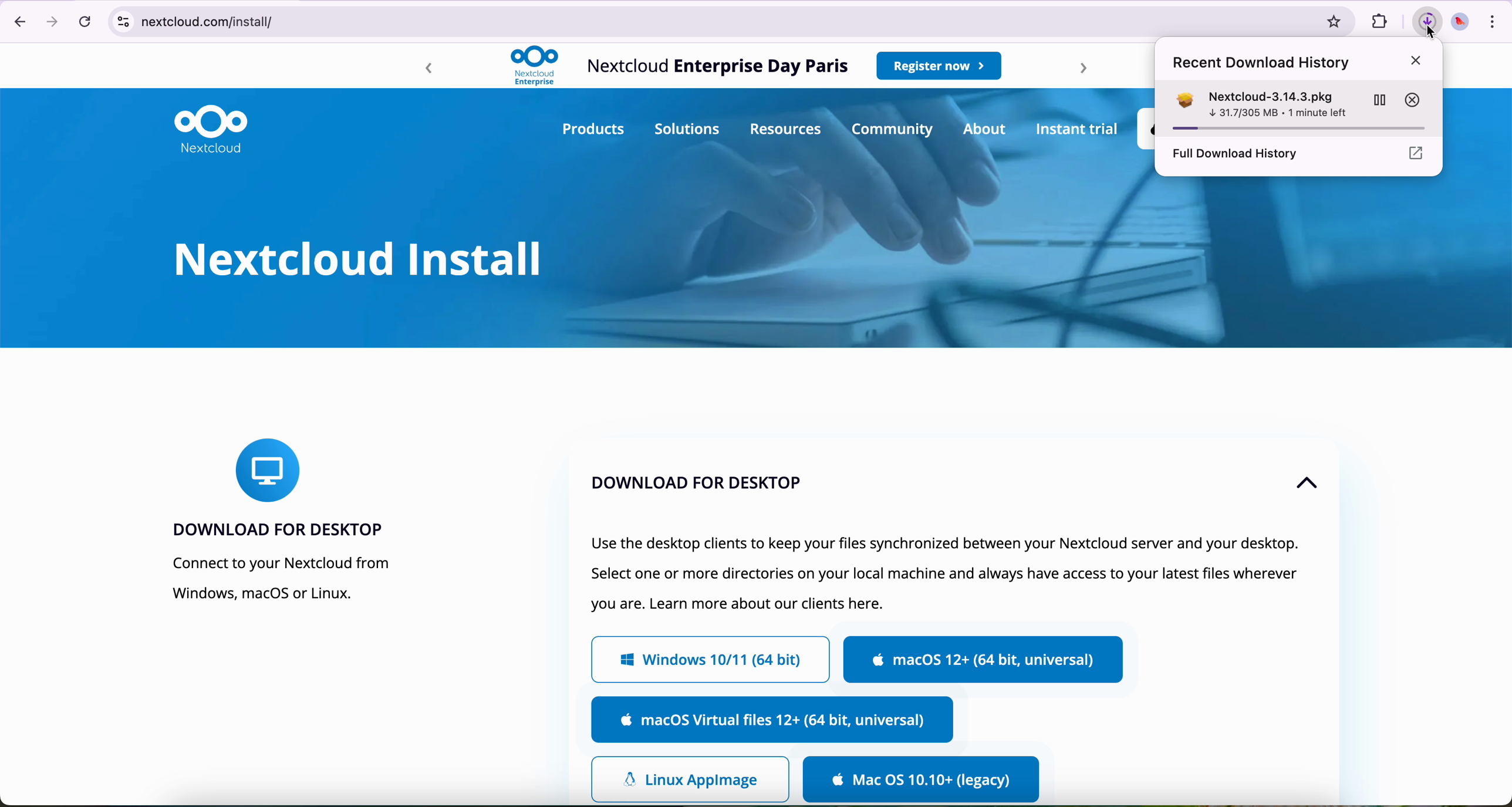 The width and height of the screenshot is (1512, 807). What do you see at coordinates (716, 66) in the screenshot?
I see `Nextcloud Enterprise Day Paris` at bounding box center [716, 66].